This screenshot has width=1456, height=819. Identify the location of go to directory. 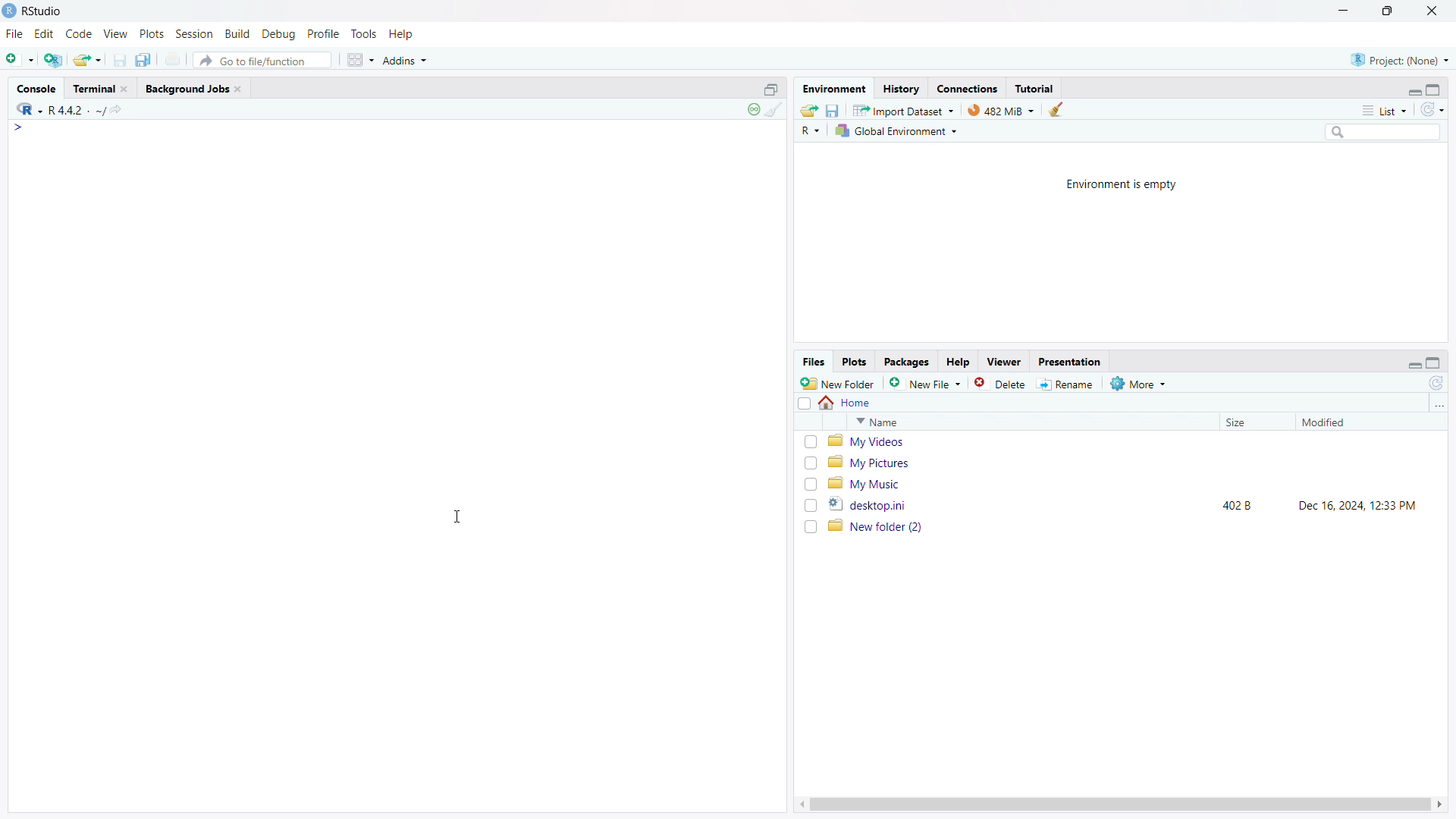
(1438, 405).